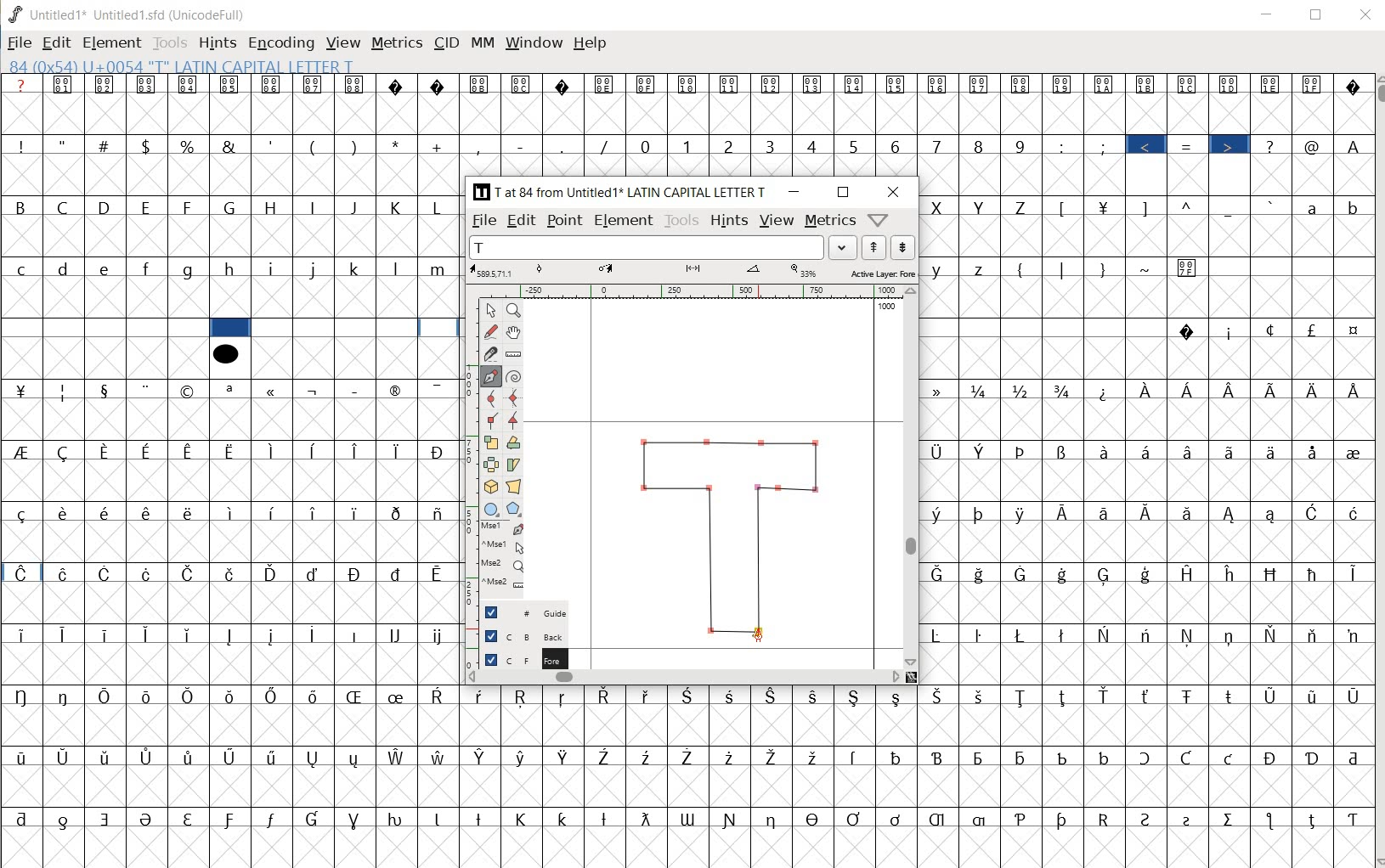 Image resolution: width=1385 pixels, height=868 pixels. I want to click on Symbol, so click(1230, 331).